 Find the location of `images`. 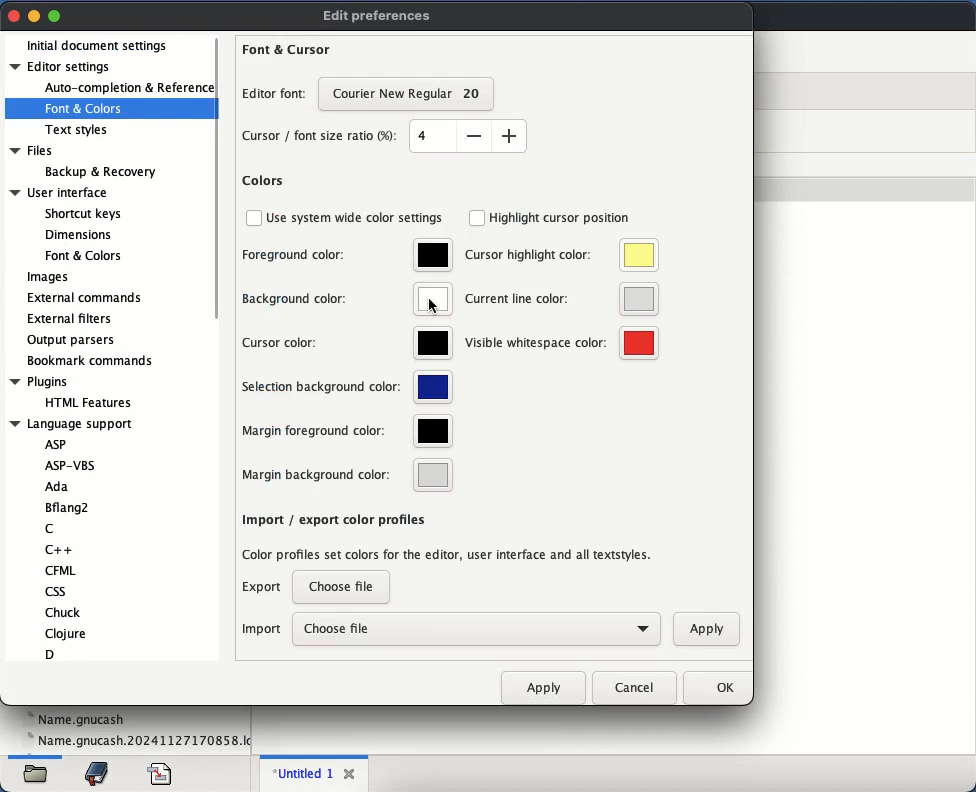

images is located at coordinates (48, 278).